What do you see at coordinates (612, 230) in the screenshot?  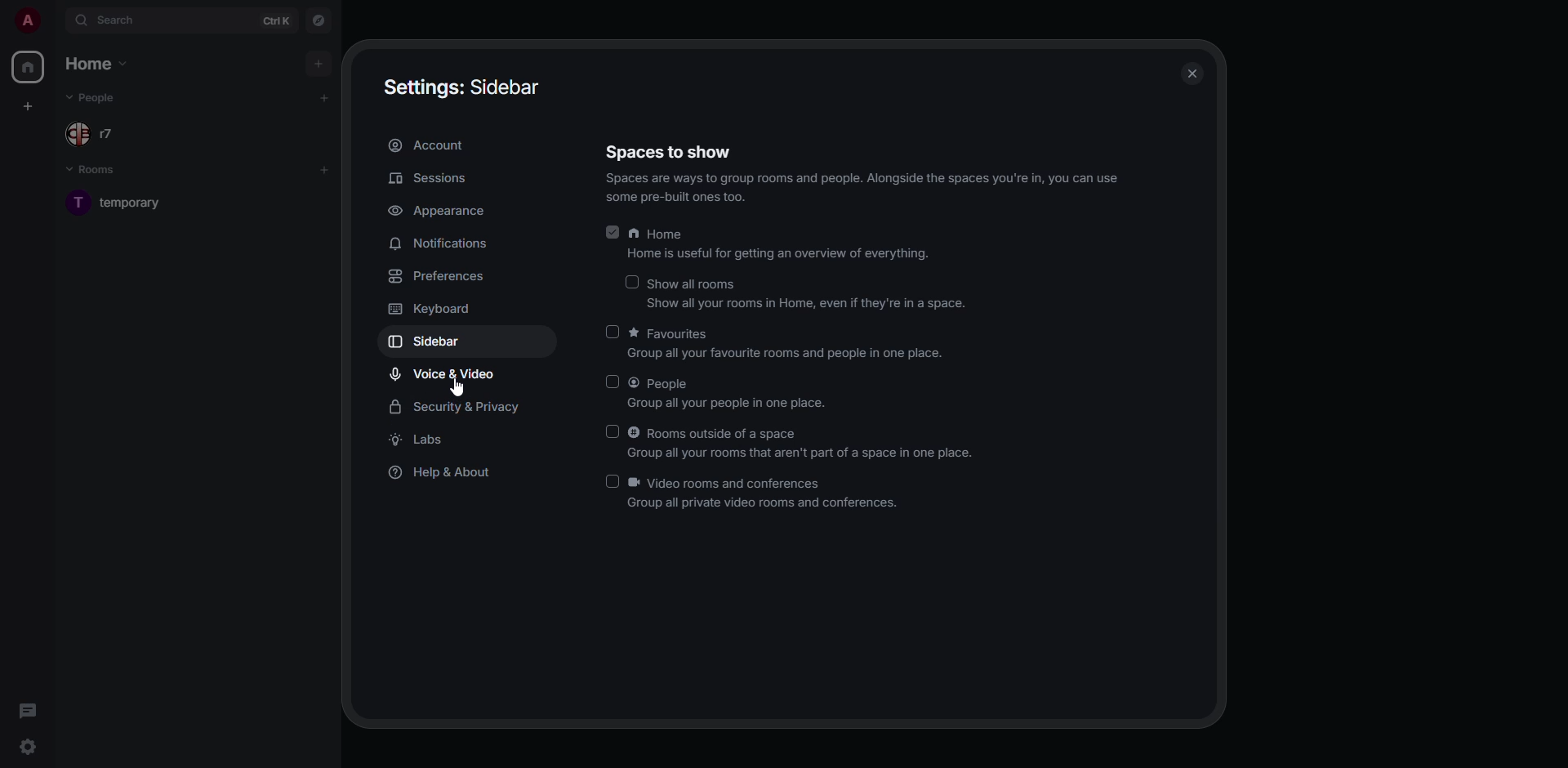 I see `enabled` at bounding box center [612, 230].